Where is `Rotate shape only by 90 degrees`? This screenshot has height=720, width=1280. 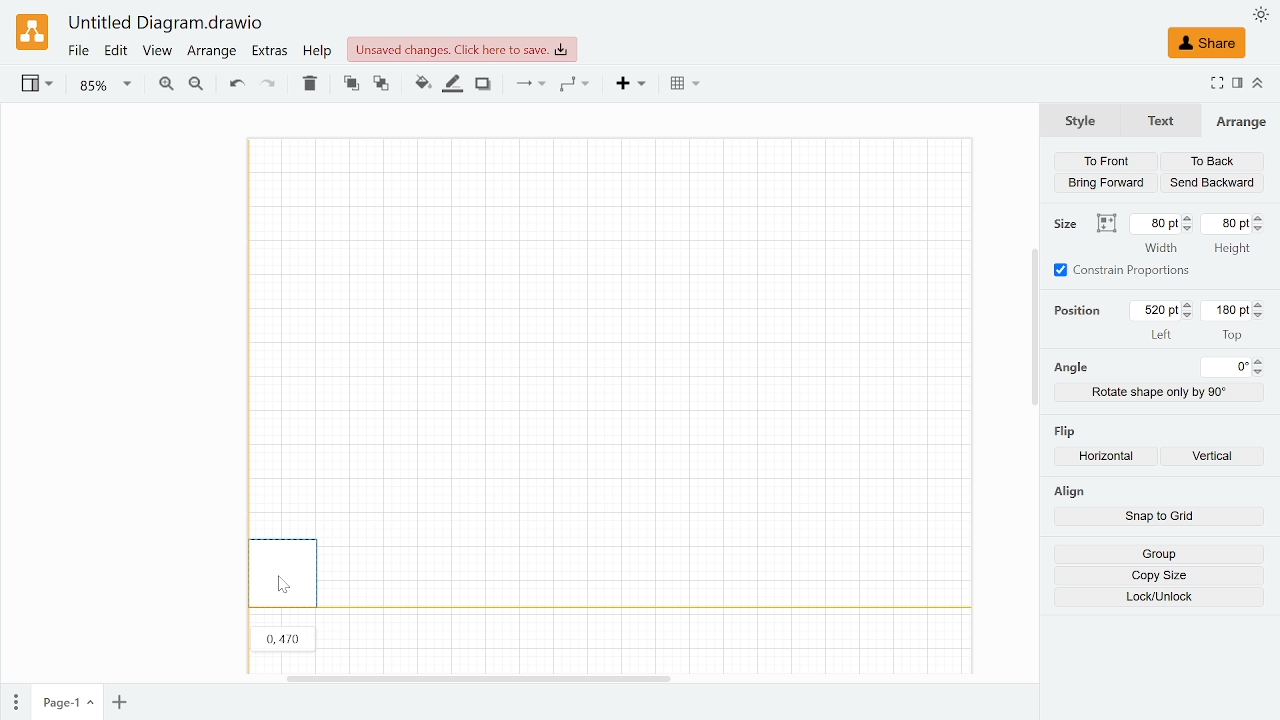 Rotate shape only by 90 degrees is located at coordinates (1160, 392).